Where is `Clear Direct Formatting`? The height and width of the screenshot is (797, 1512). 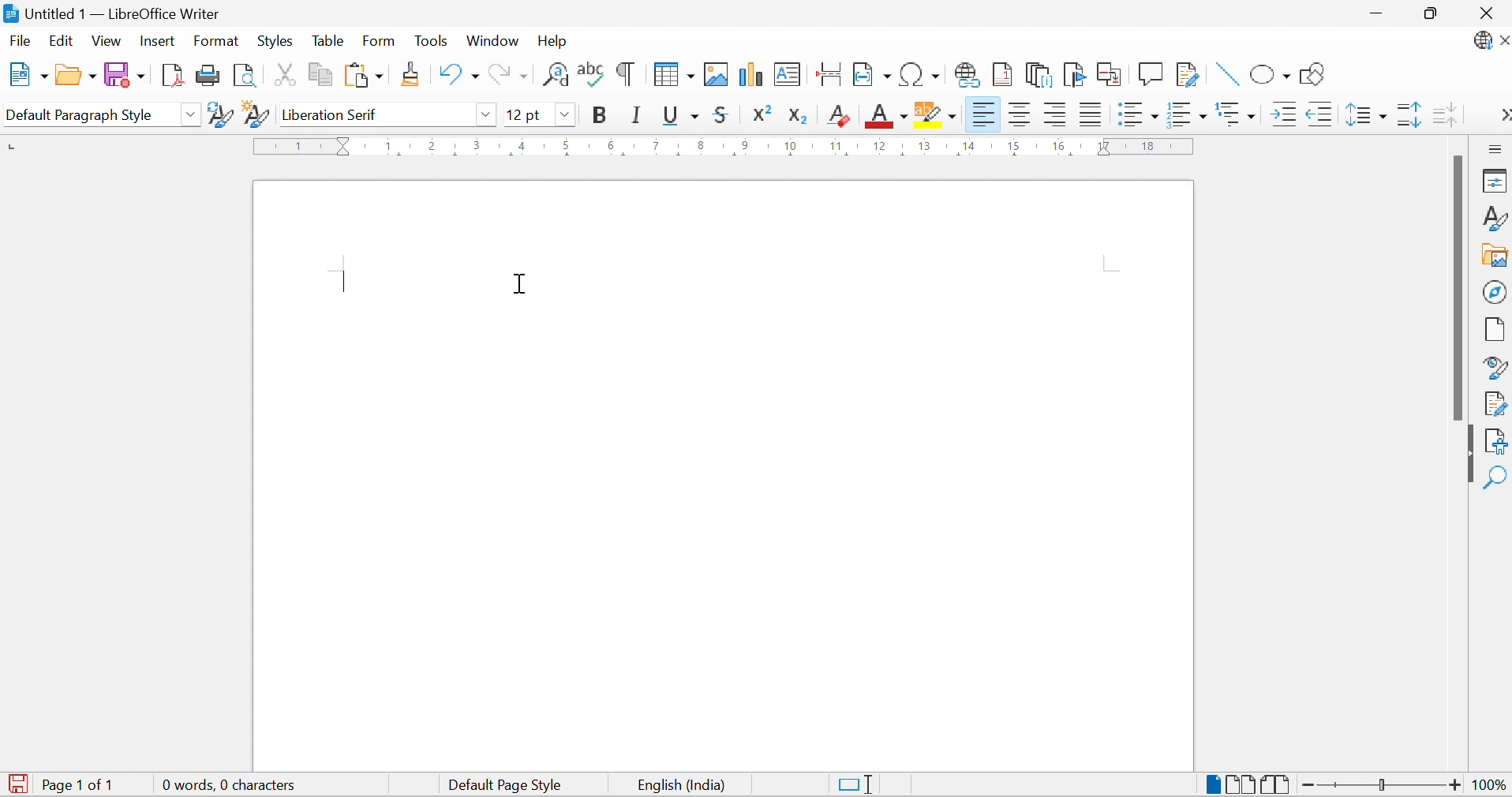
Clear Direct Formatting is located at coordinates (839, 115).